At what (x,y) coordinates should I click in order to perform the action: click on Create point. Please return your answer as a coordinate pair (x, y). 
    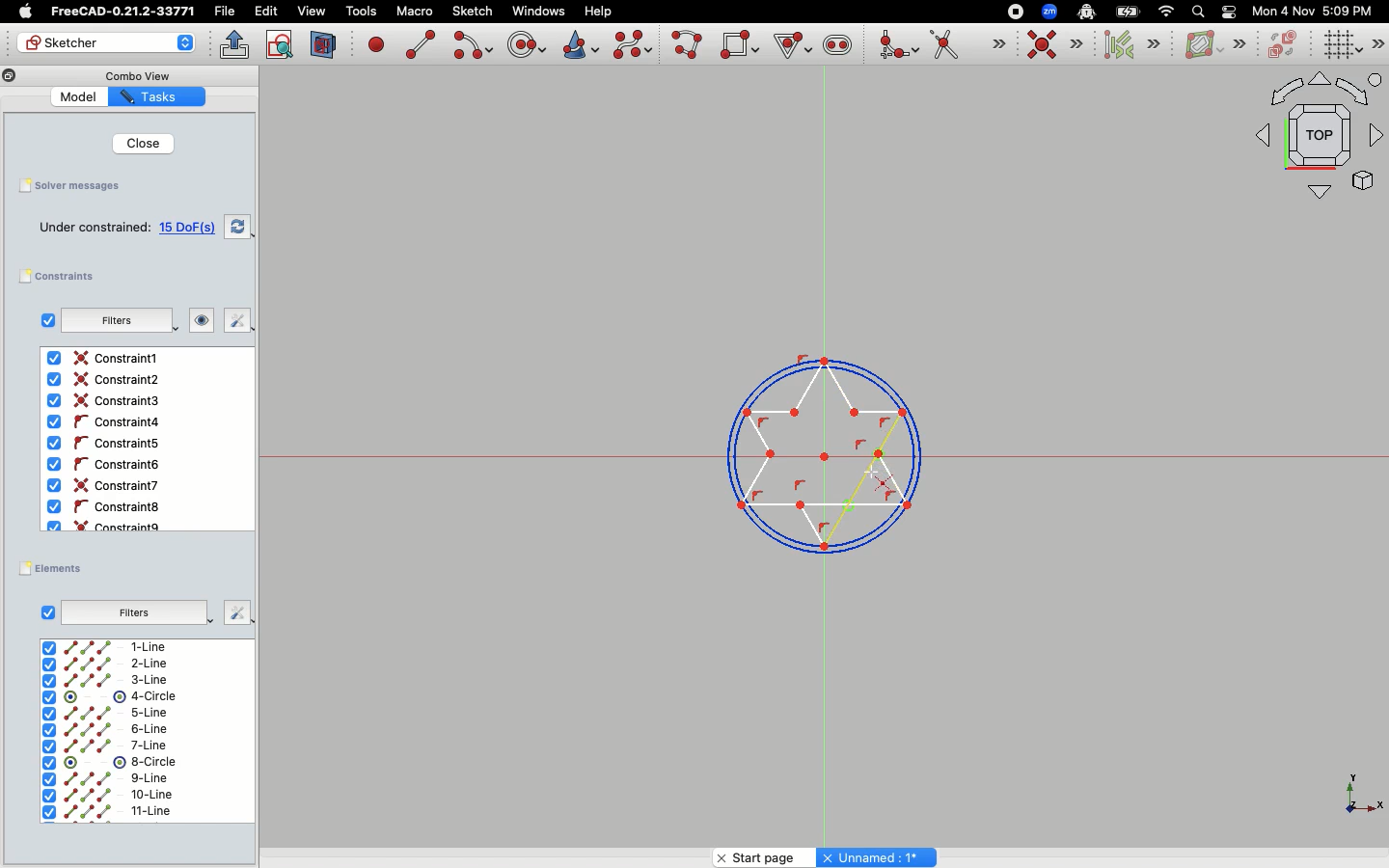
    Looking at the image, I should click on (377, 43).